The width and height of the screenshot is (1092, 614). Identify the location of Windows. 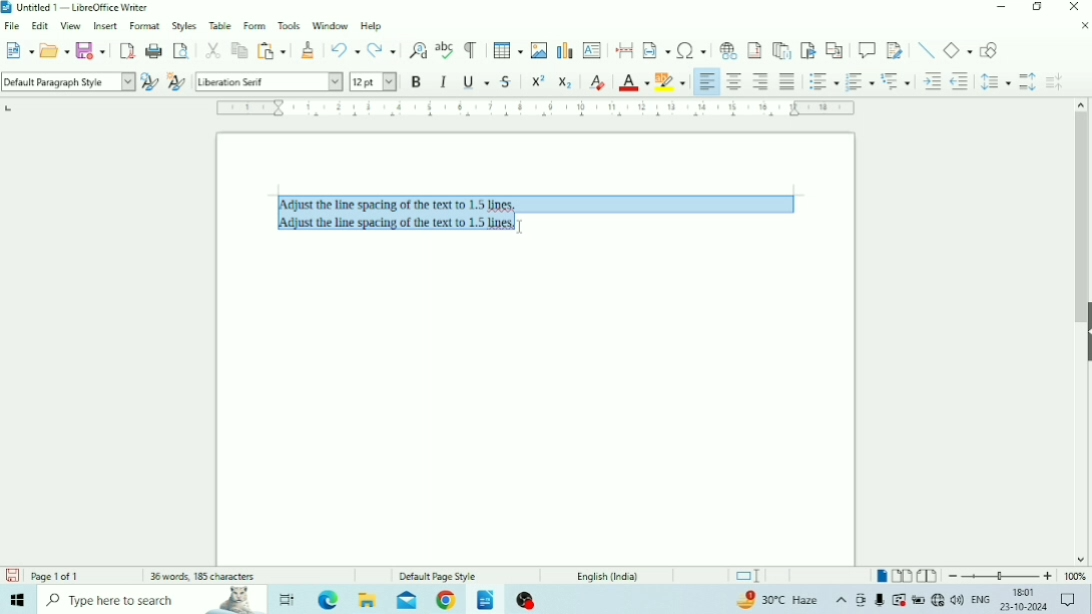
(17, 600).